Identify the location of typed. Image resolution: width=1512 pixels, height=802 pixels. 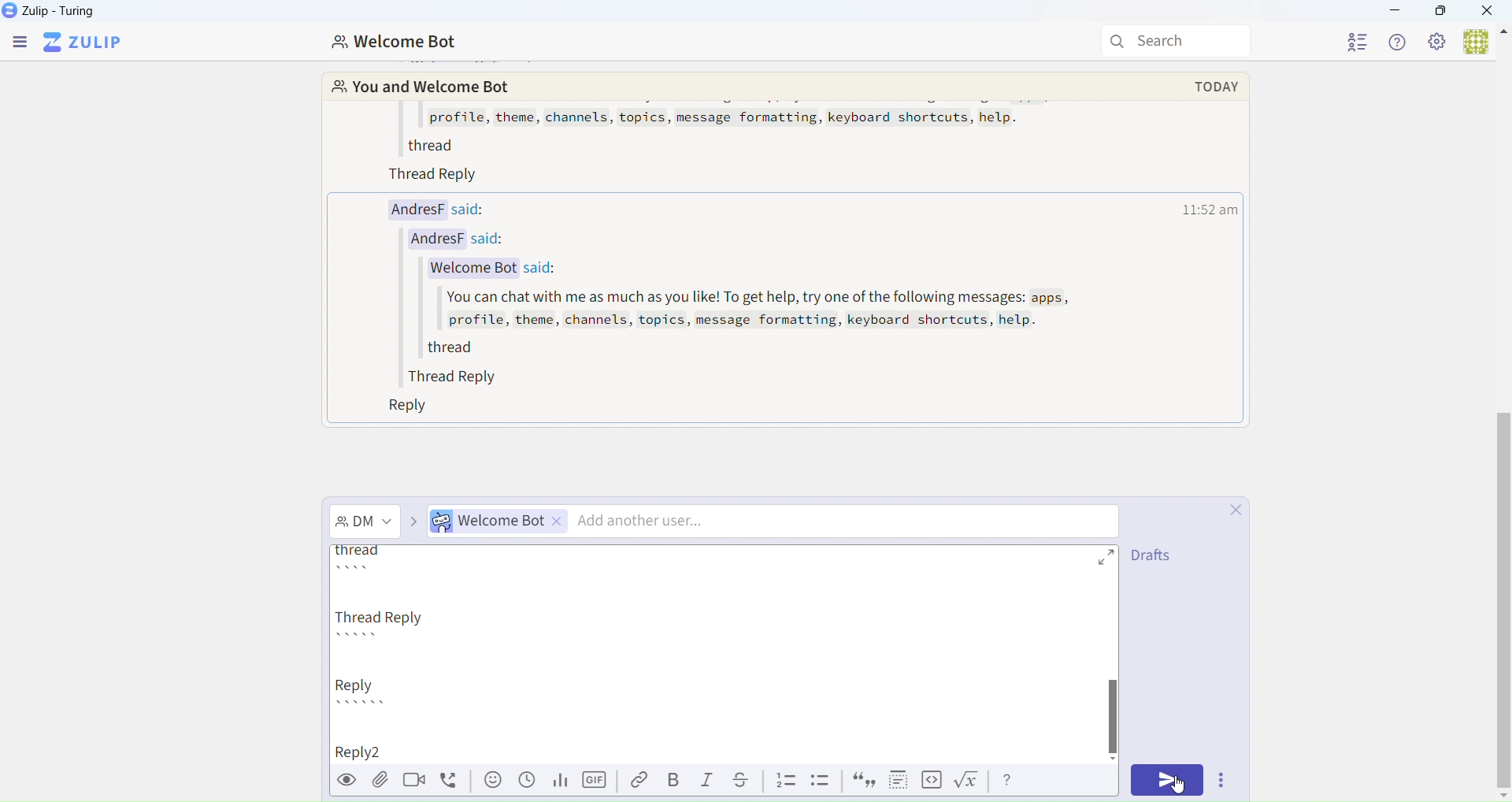
(382, 749).